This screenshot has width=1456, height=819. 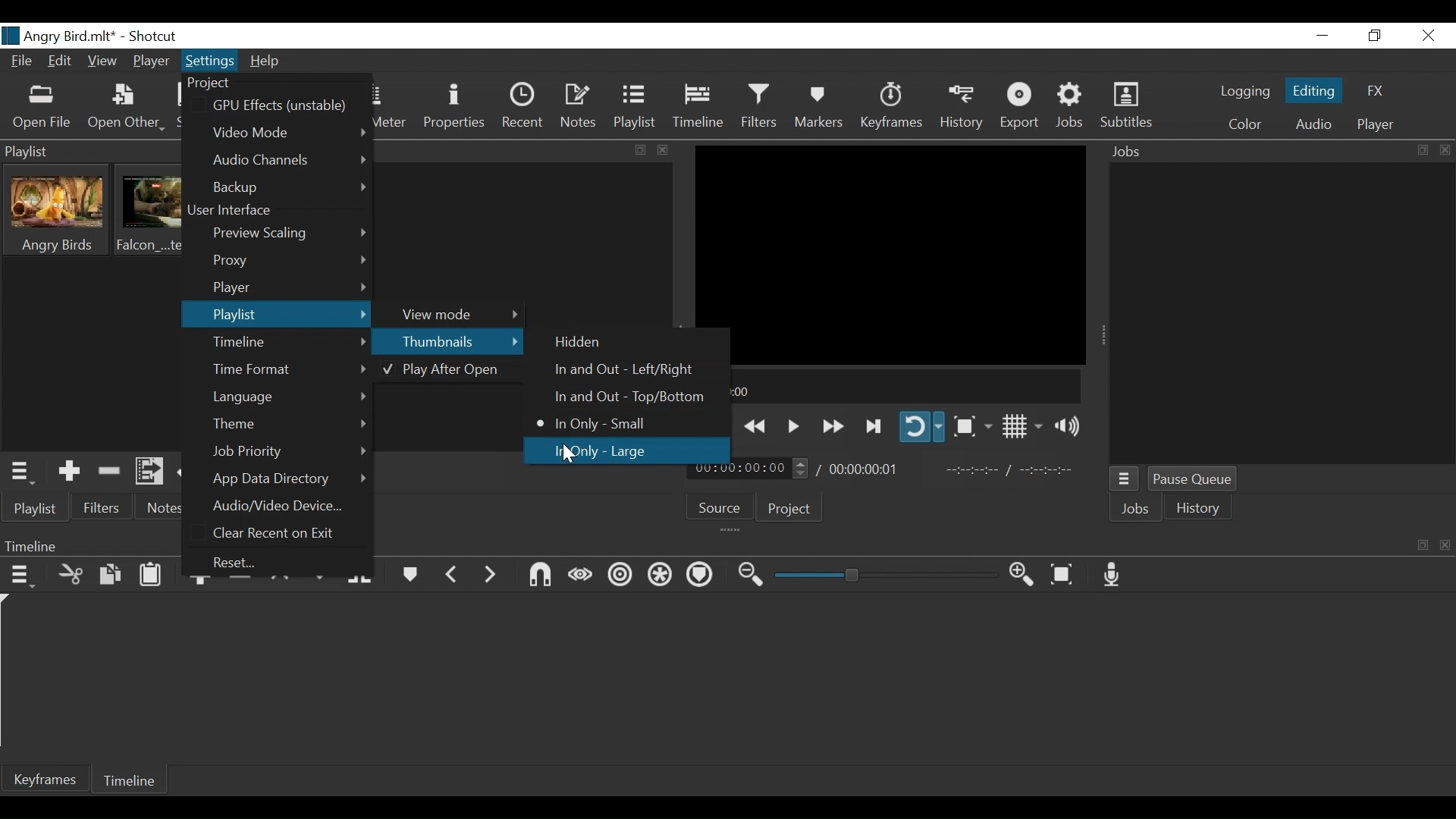 I want to click on Filter, so click(x=759, y=108).